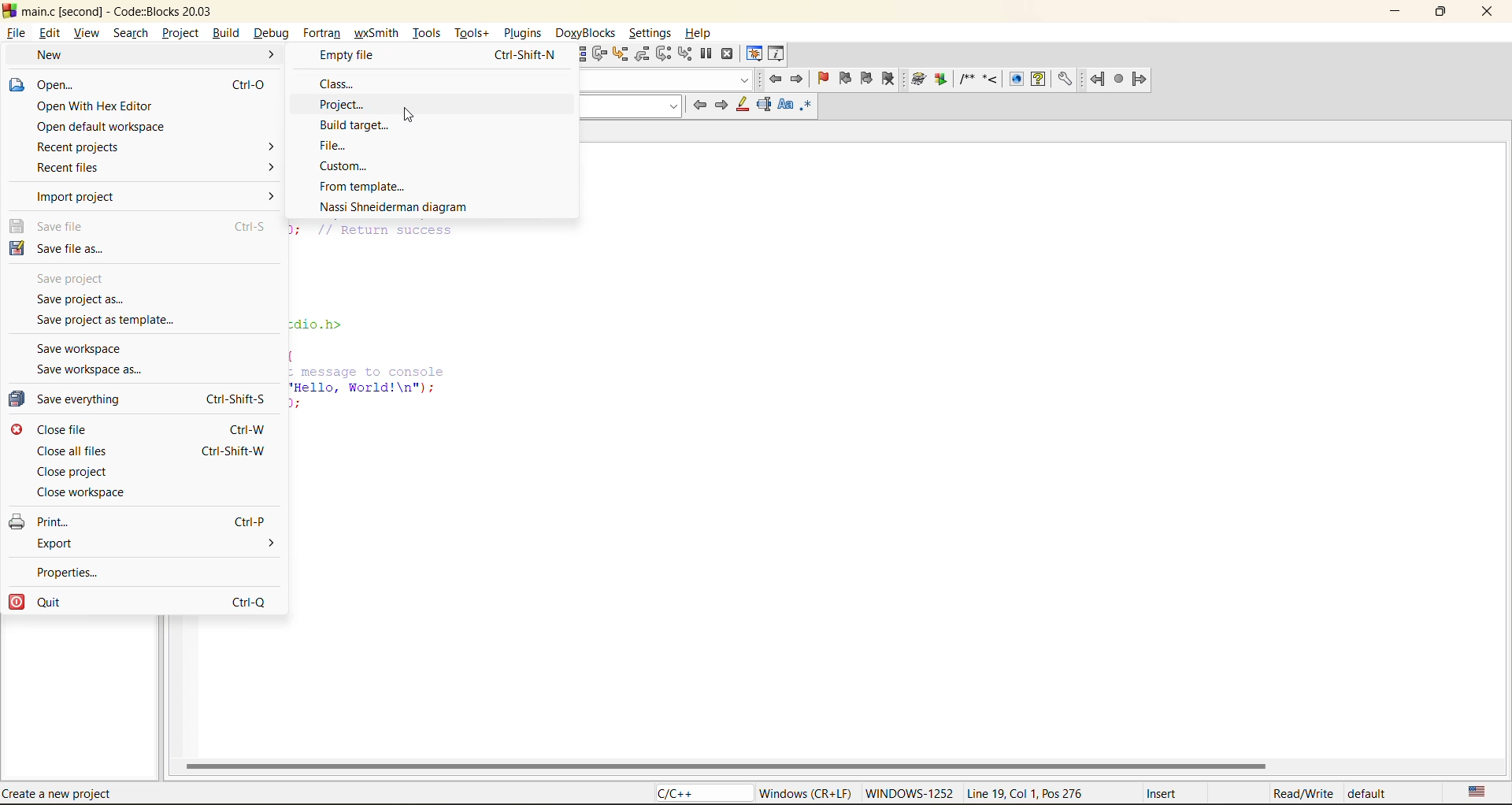  What do you see at coordinates (358, 123) in the screenshot?
I see `build target` at bounding box center [358, 123].